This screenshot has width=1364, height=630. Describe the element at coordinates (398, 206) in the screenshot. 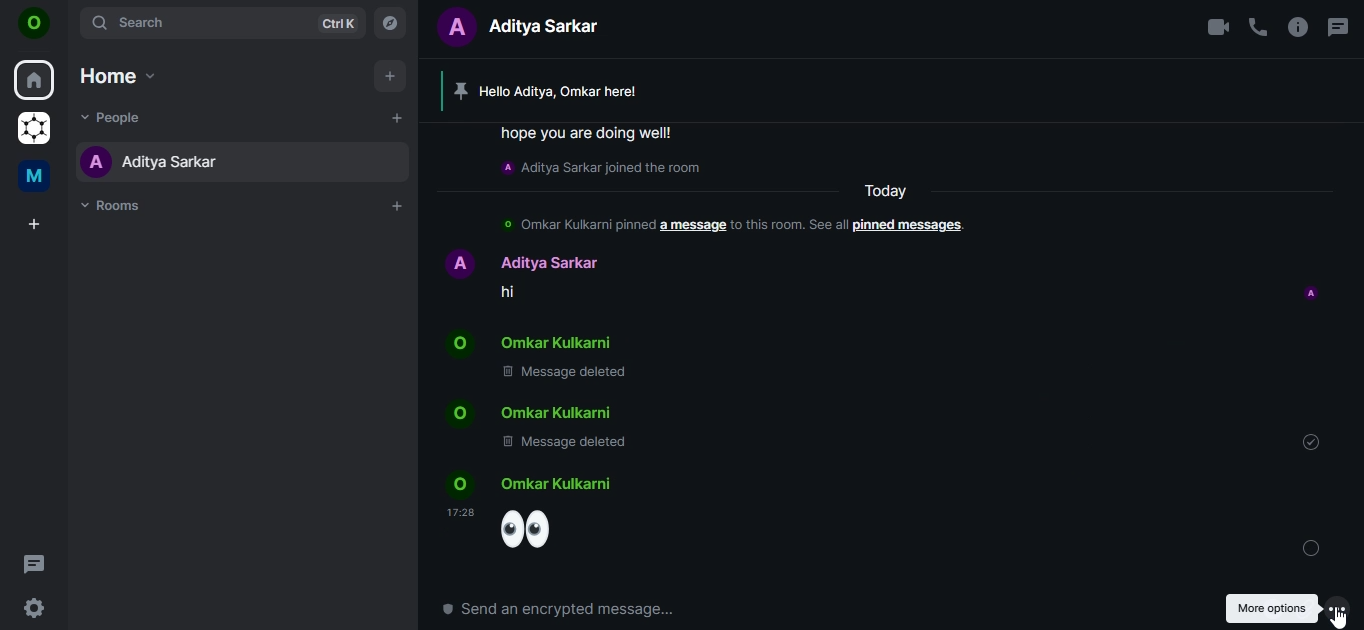

I see `add rooms` at that location.